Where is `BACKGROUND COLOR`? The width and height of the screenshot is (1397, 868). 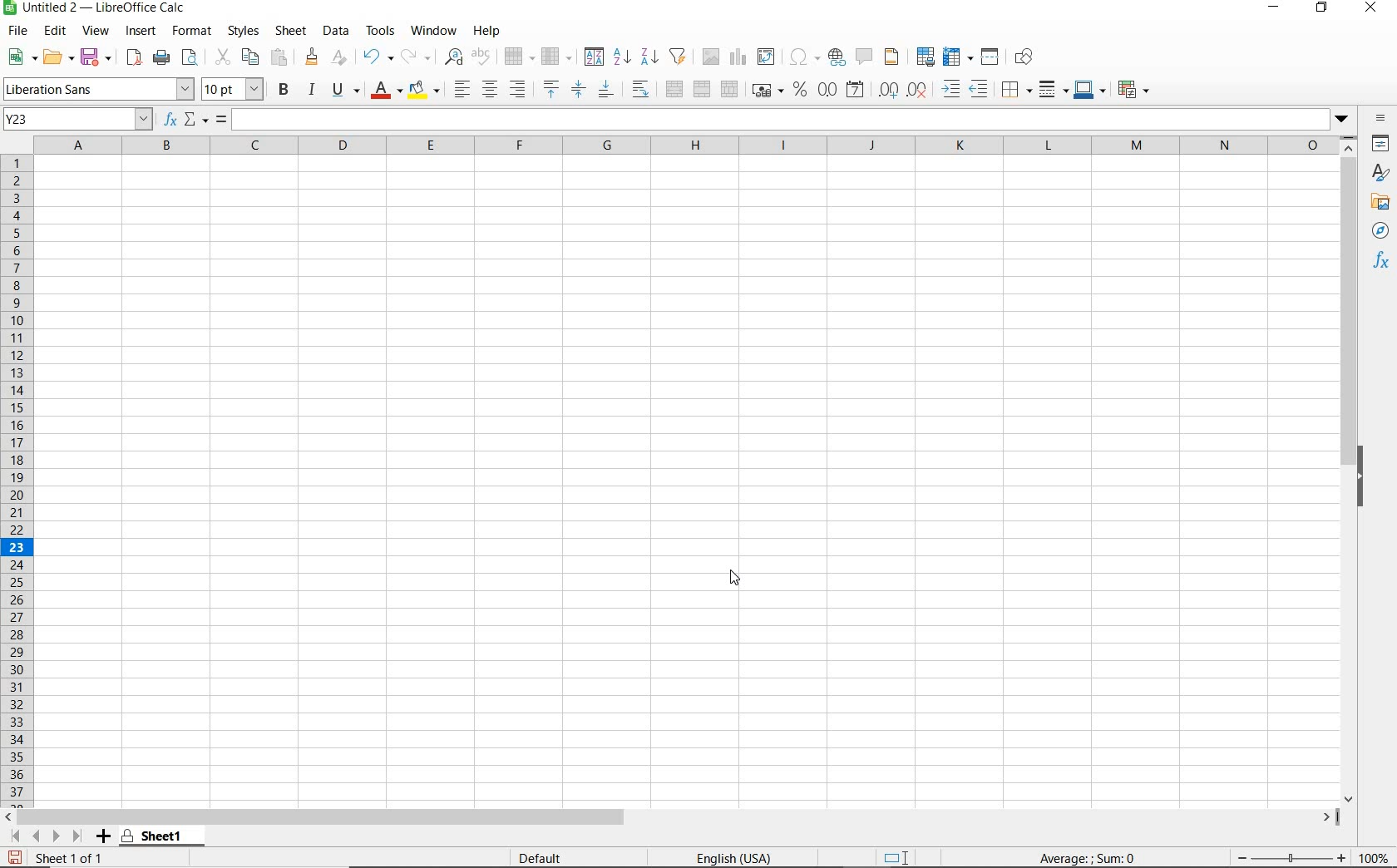
BACKGROUND COLOR is located at coordinates (424, 89).